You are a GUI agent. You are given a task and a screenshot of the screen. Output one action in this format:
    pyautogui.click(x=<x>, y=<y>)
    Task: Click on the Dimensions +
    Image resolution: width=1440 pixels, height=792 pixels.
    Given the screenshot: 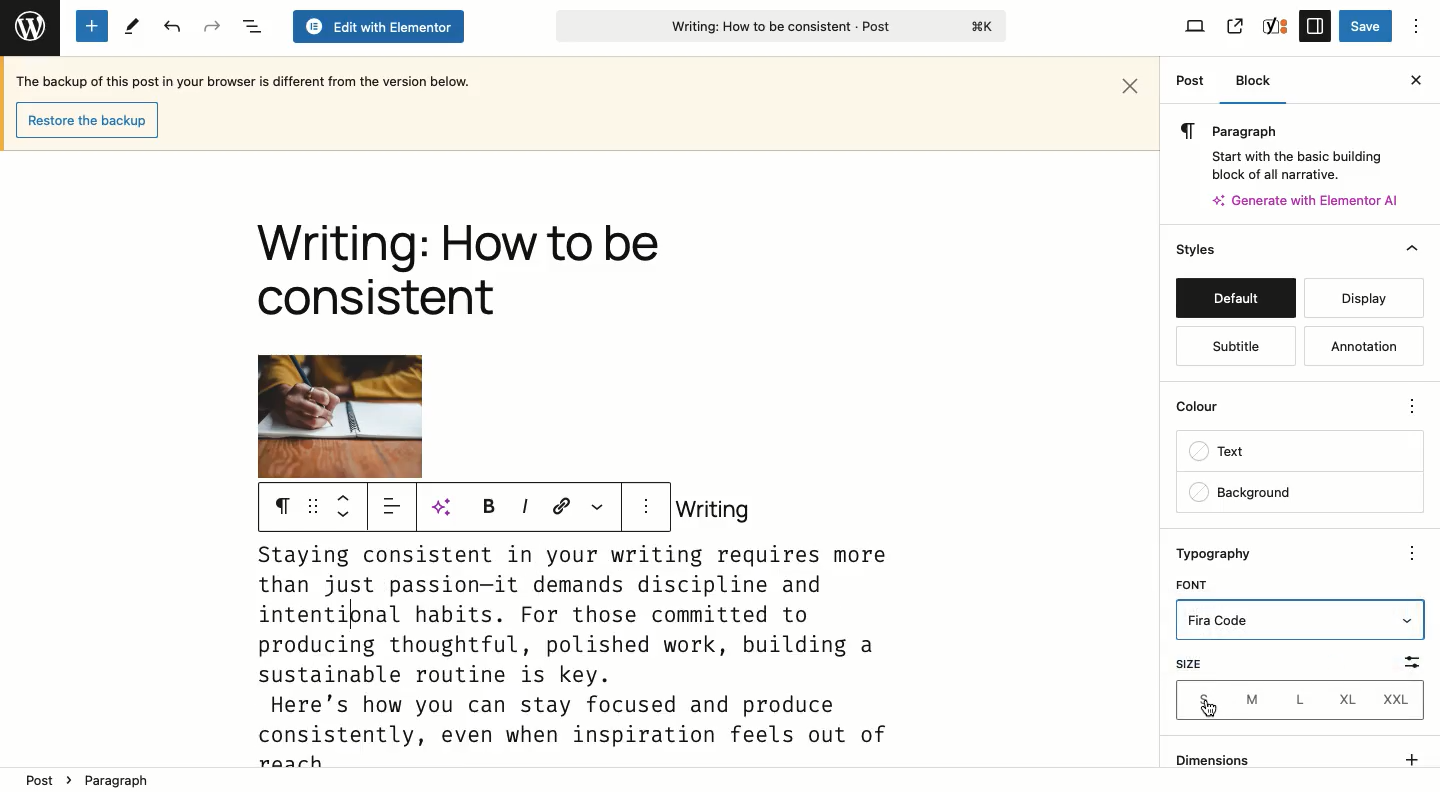 What is the action you would take?
    pyautogui.click(x=1299, y=756)
    